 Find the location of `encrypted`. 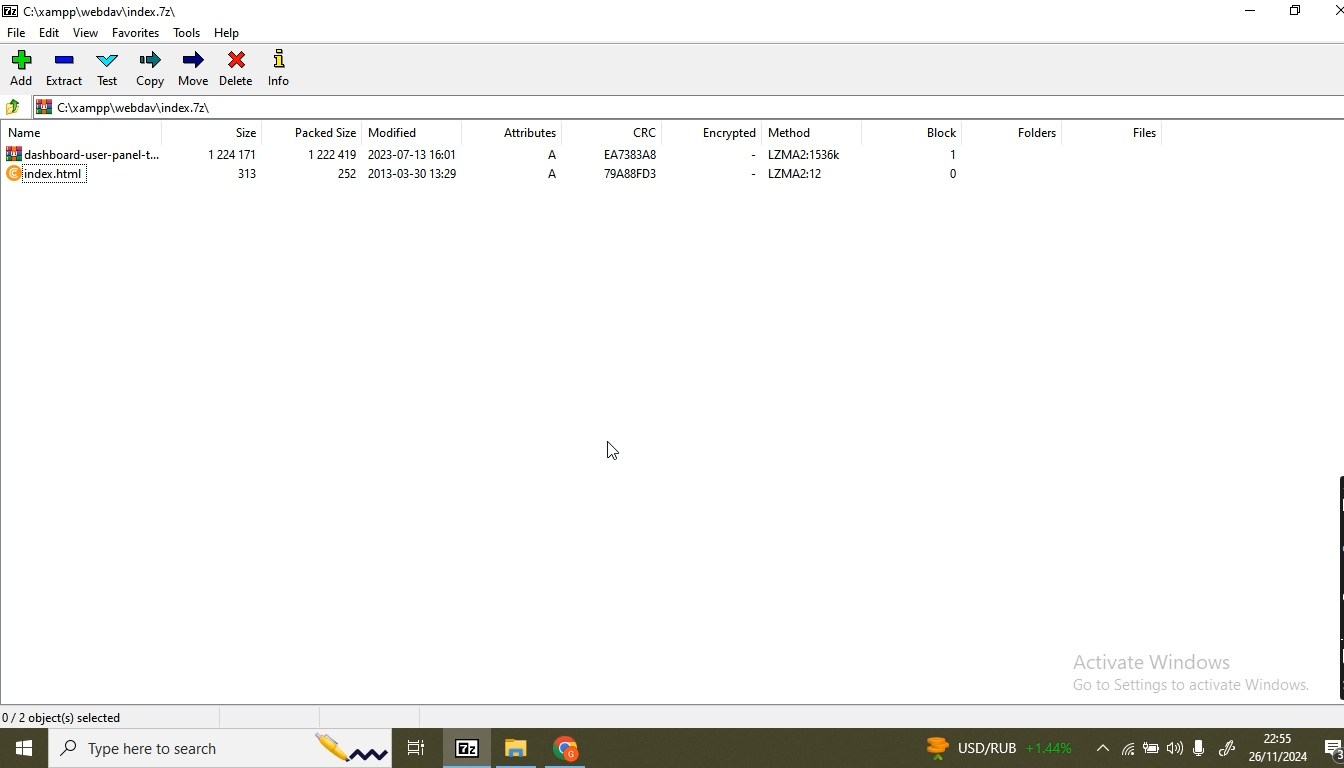

encrypted is located at coordinates (730, 132).